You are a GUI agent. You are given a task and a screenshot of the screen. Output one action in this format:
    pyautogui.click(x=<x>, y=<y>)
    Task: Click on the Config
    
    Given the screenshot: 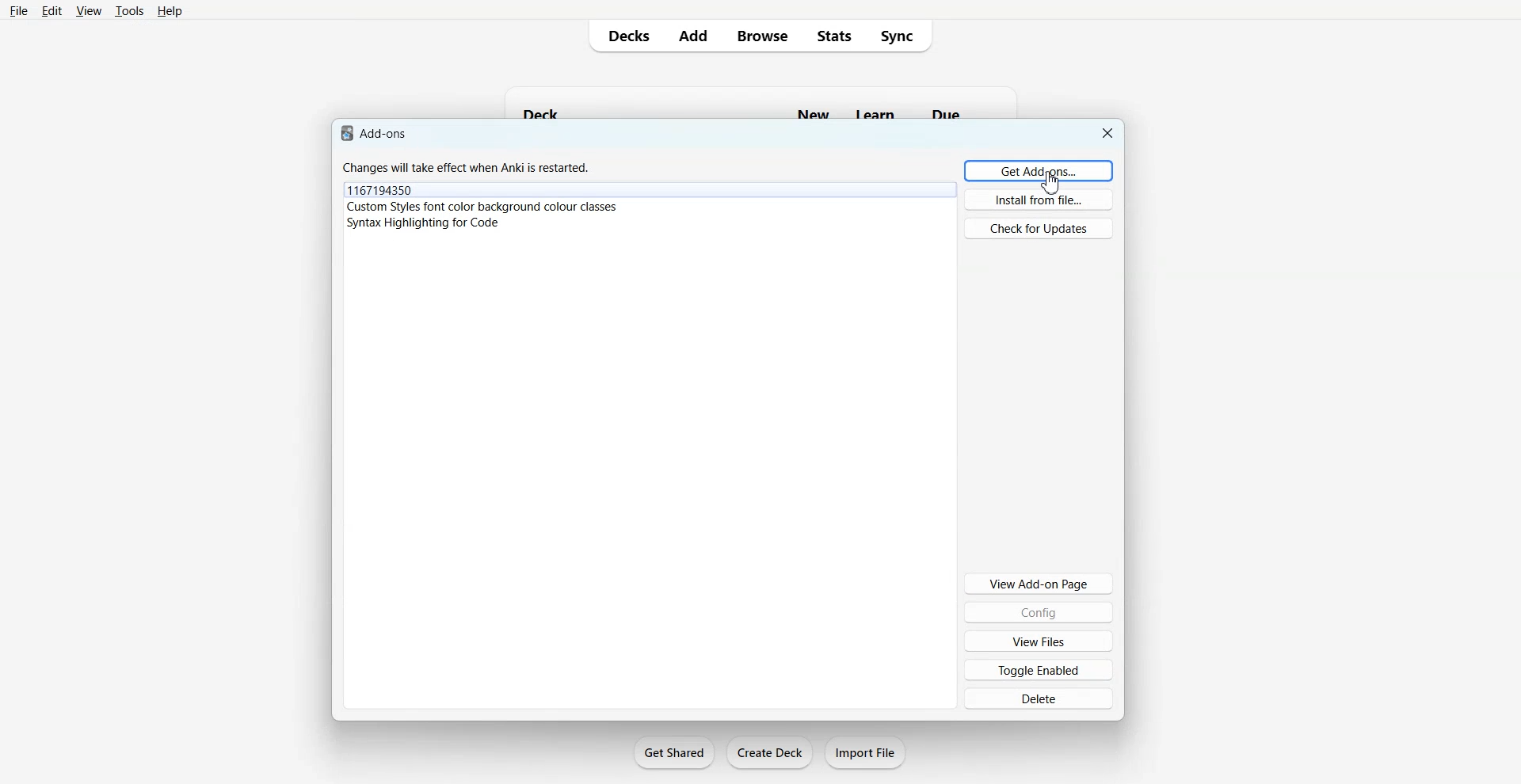 What is the action you would take?
    pyautogui.click(x=1039, y=612)
    